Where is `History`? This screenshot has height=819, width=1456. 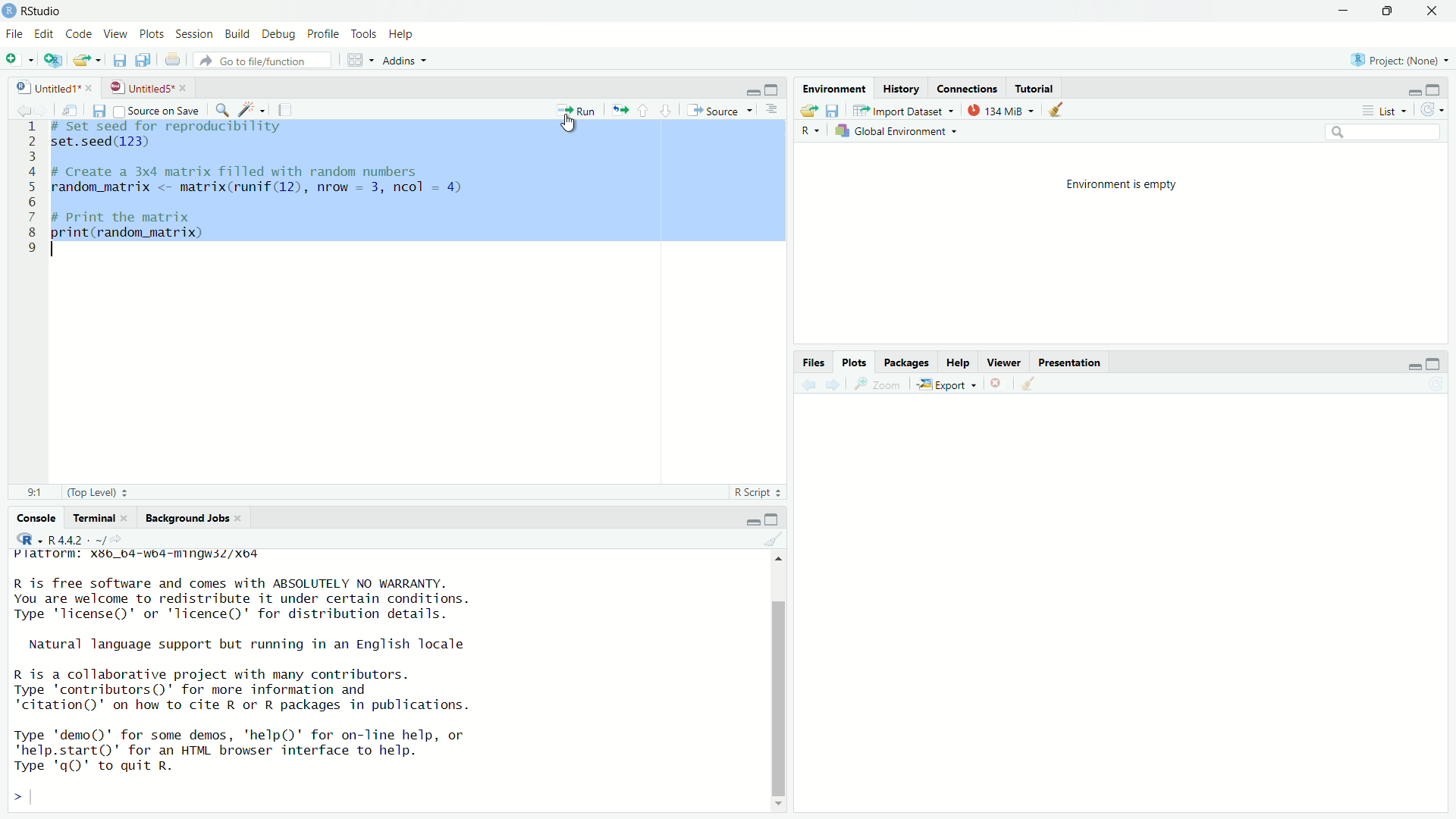 History is located at coordinates (905, 88).